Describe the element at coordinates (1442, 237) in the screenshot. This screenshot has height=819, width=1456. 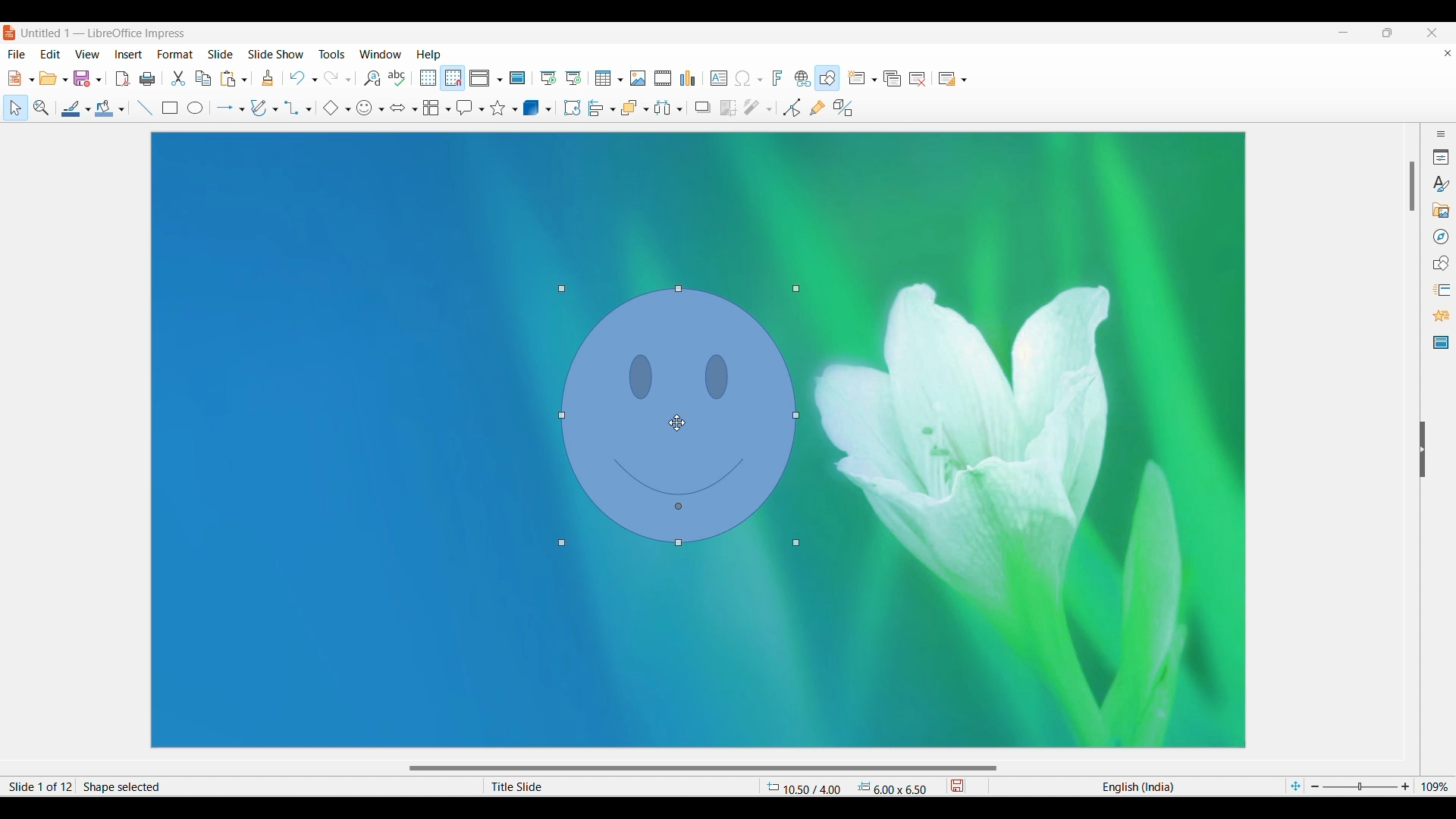
I see `Navigator` at that location.